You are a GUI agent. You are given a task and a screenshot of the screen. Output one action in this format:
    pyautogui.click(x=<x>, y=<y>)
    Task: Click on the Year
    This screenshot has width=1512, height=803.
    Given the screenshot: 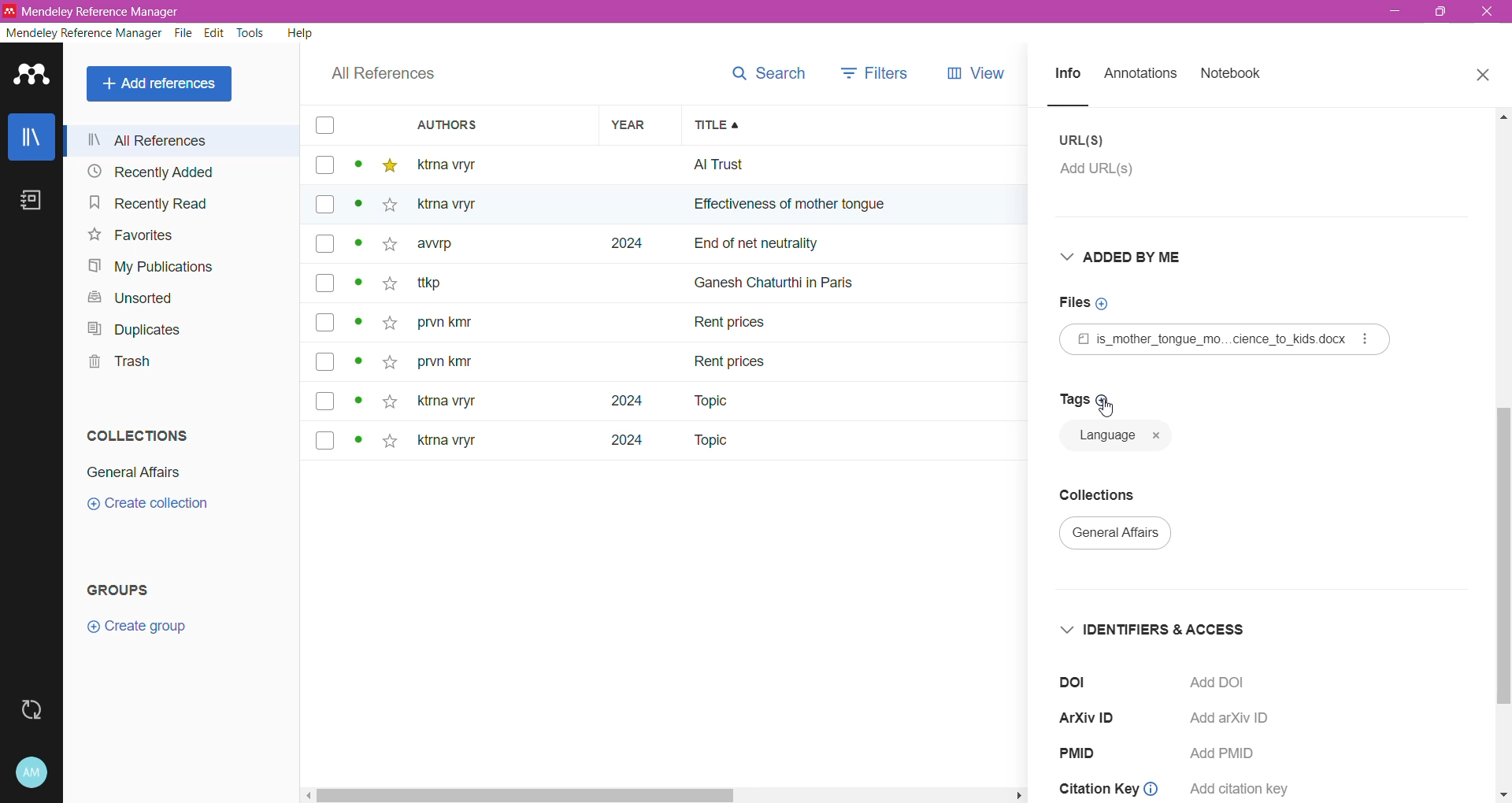 What is the action you would take?
    pyautogui.click(x=633, y=124)
    